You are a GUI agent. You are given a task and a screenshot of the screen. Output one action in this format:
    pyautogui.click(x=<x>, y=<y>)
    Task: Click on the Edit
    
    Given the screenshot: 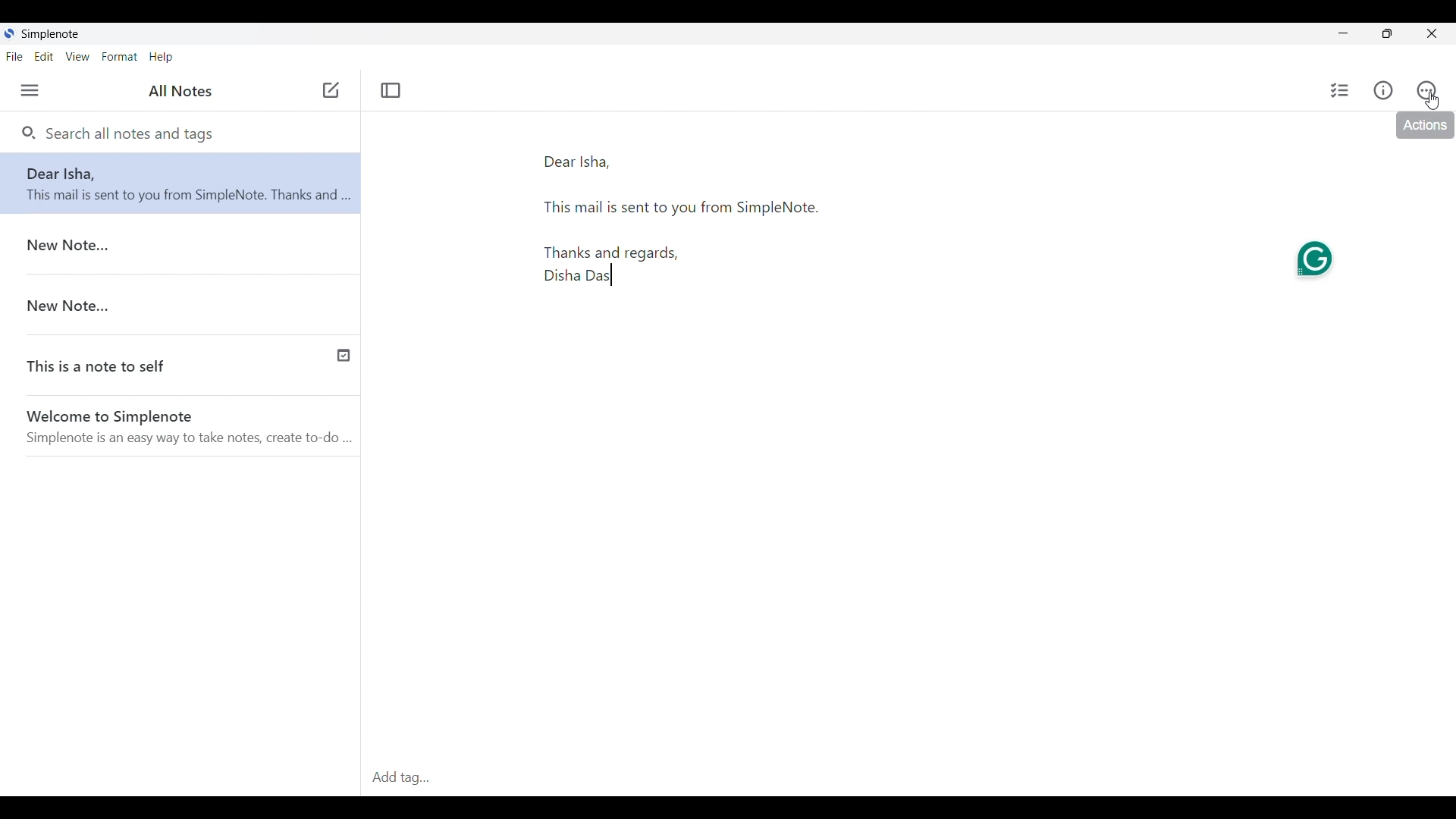 What is the action you would take?
    pyautogui.click(x=44, y=56)
    